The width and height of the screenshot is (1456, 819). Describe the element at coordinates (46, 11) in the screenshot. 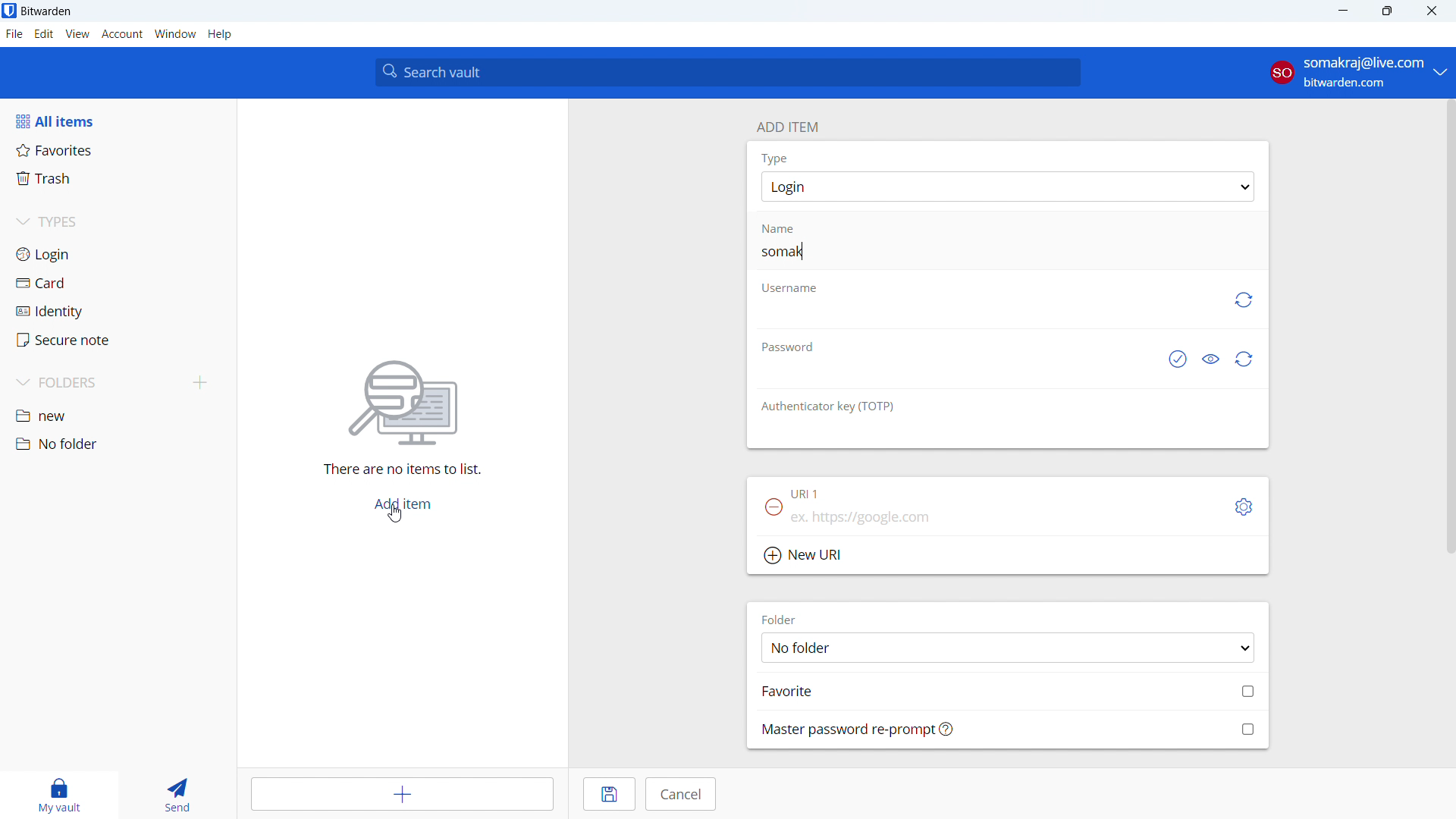

I see `title` at that location.